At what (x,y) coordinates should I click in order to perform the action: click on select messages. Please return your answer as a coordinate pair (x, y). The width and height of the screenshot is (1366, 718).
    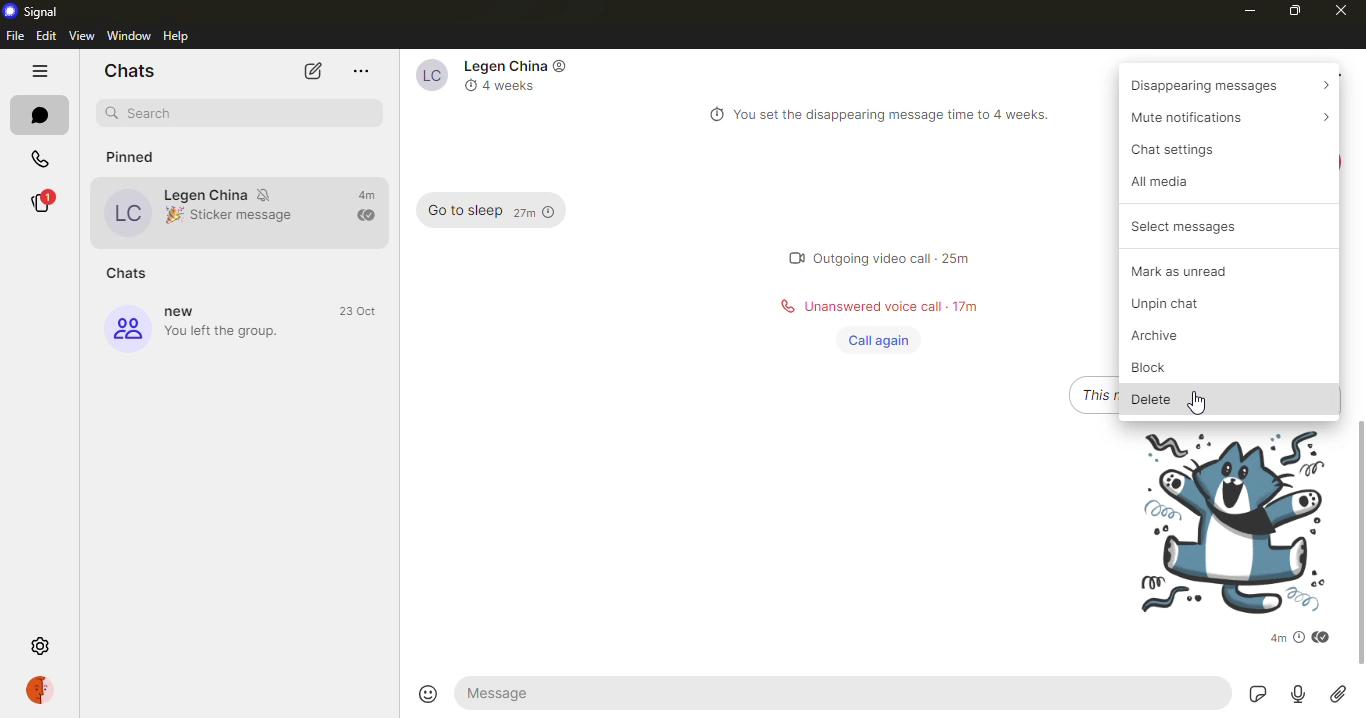
    Looking at the image, I should click on (1187, 226).